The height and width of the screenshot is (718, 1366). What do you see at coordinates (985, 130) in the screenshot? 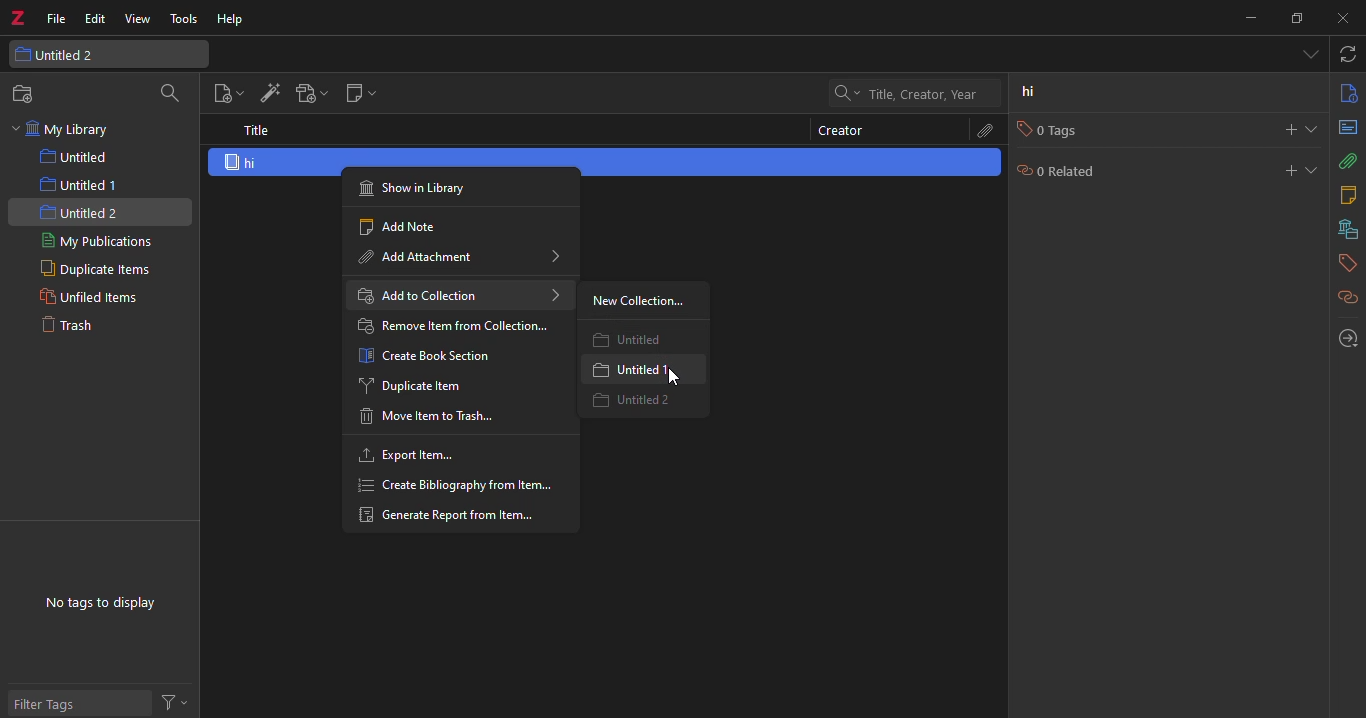
I see `attach` at bounding box center [985, 130].